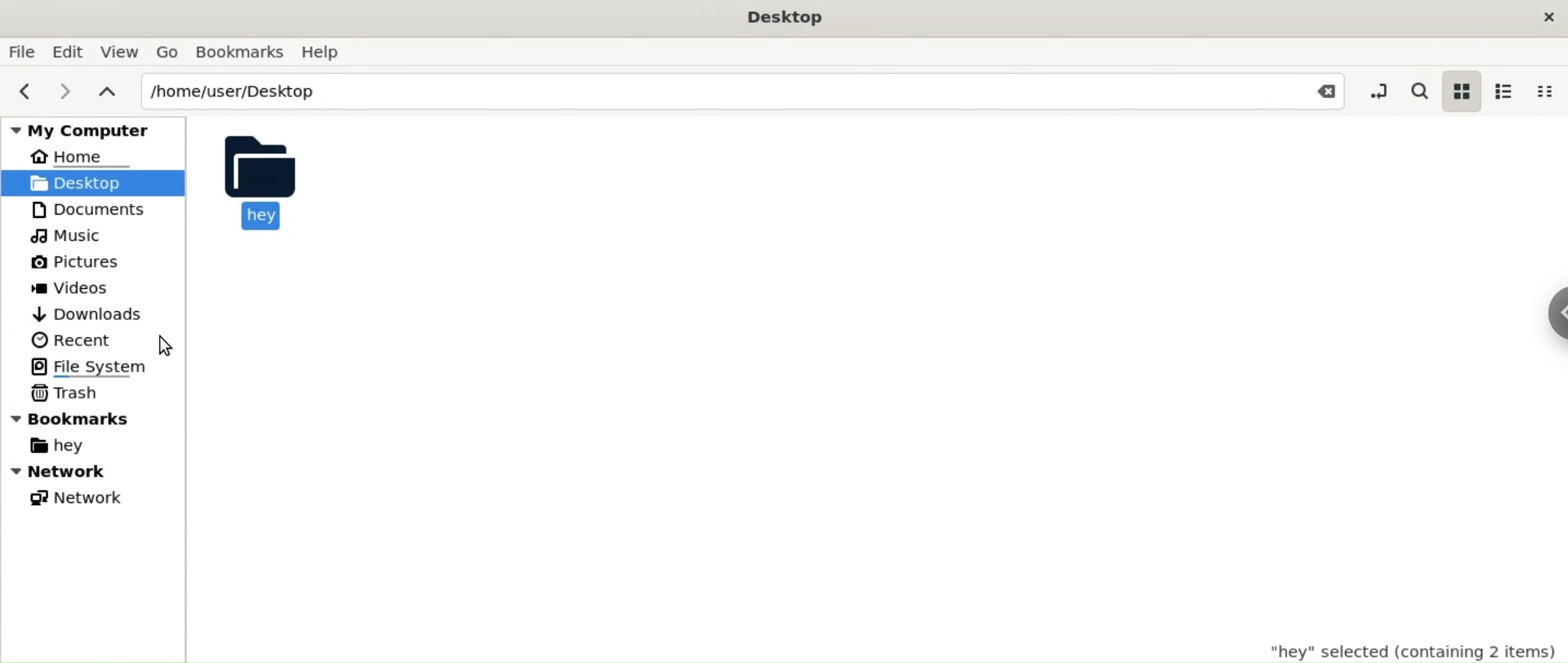 This screenshot has width=1568, height=663. What do you see at coordinates (88, 209) in the screenshot?
I see `Documents` at bounding box center [88, 209].